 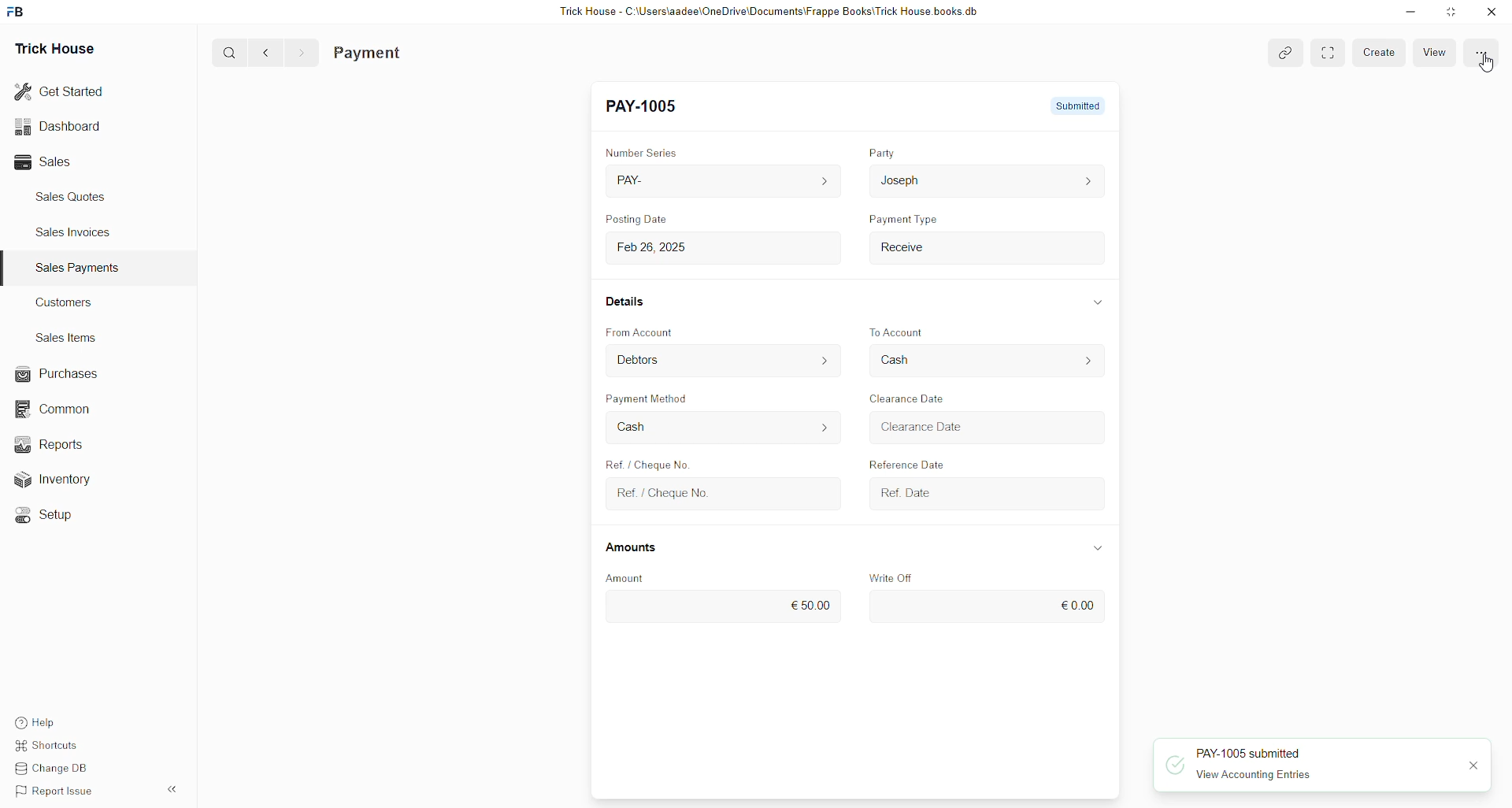 I want to click on Payment Type, so click(x=982, y=249).